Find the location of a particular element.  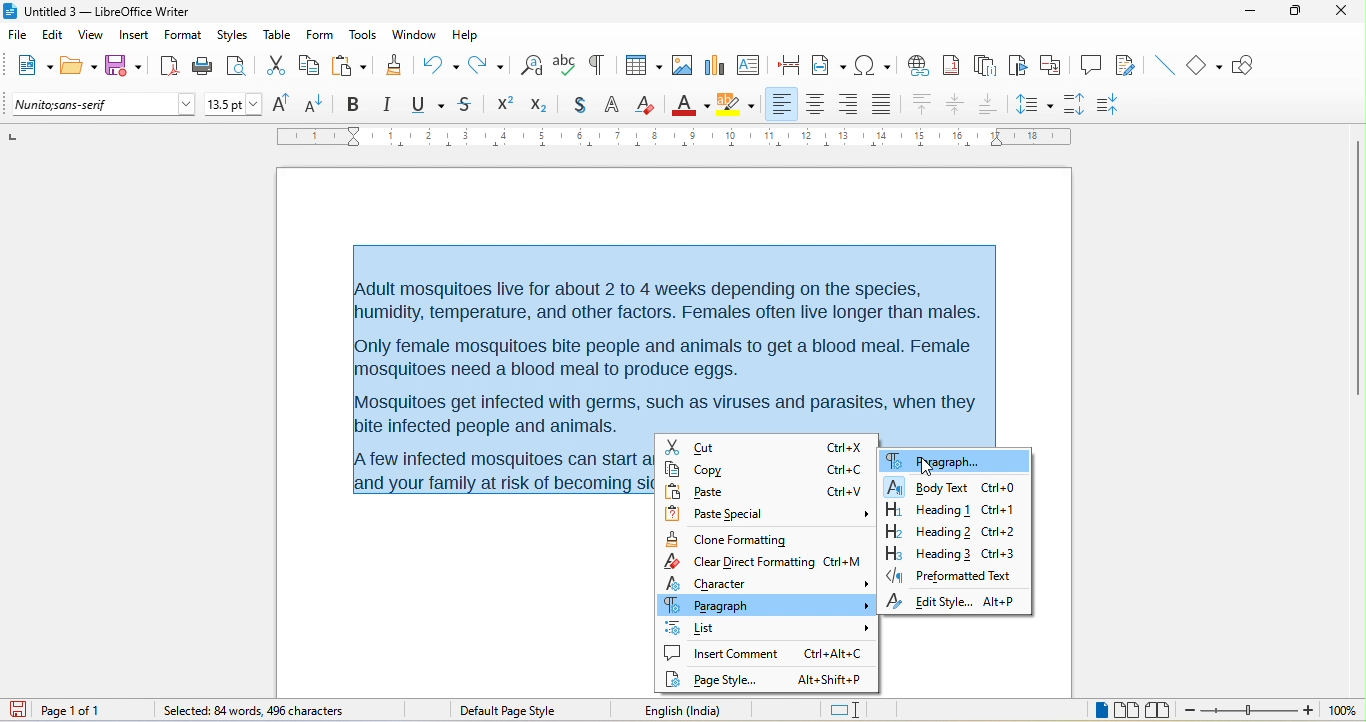

chart is located at coordinates (713, 64).